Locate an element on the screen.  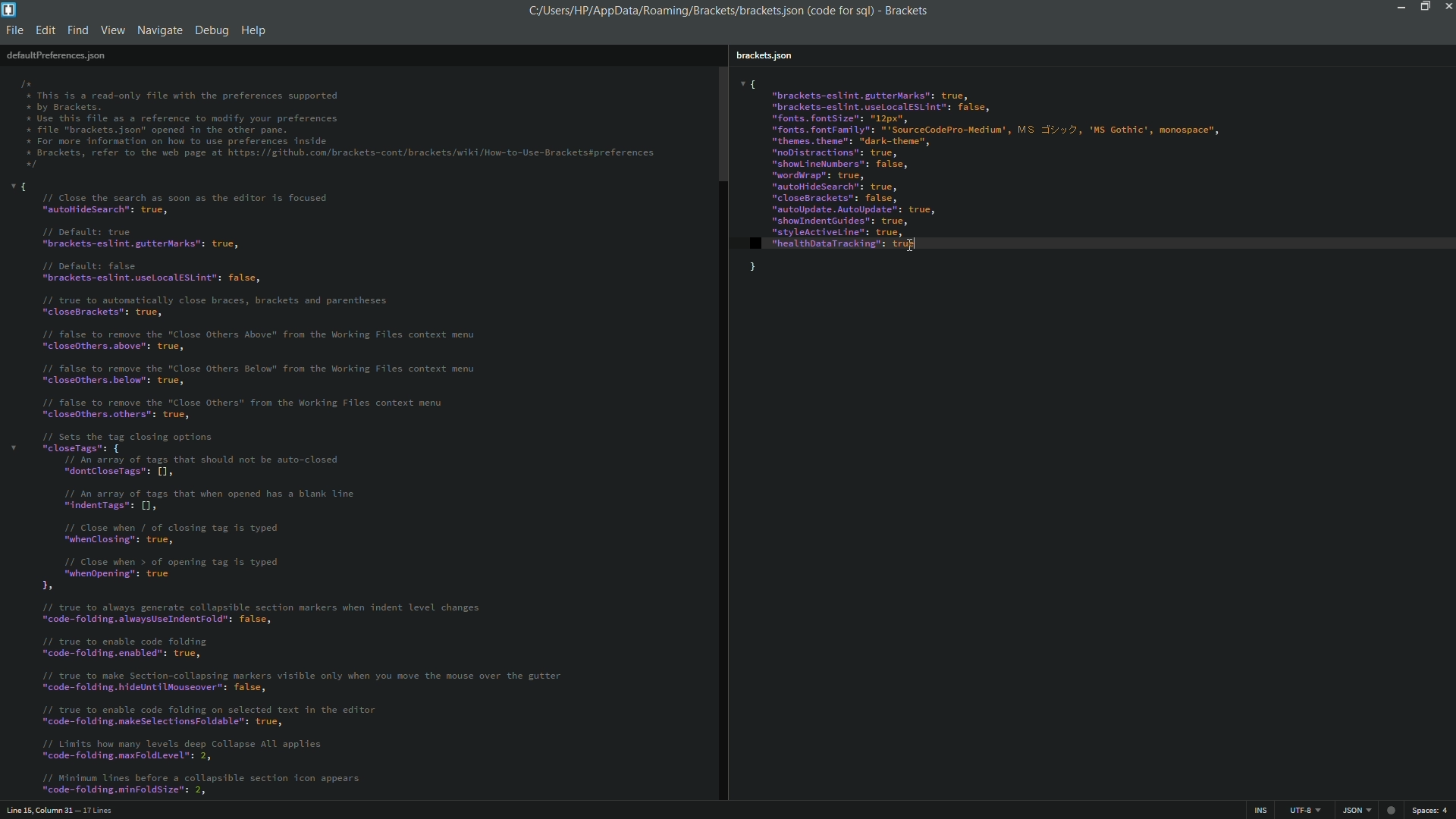
Find menu is located at coordinates (77, 31).